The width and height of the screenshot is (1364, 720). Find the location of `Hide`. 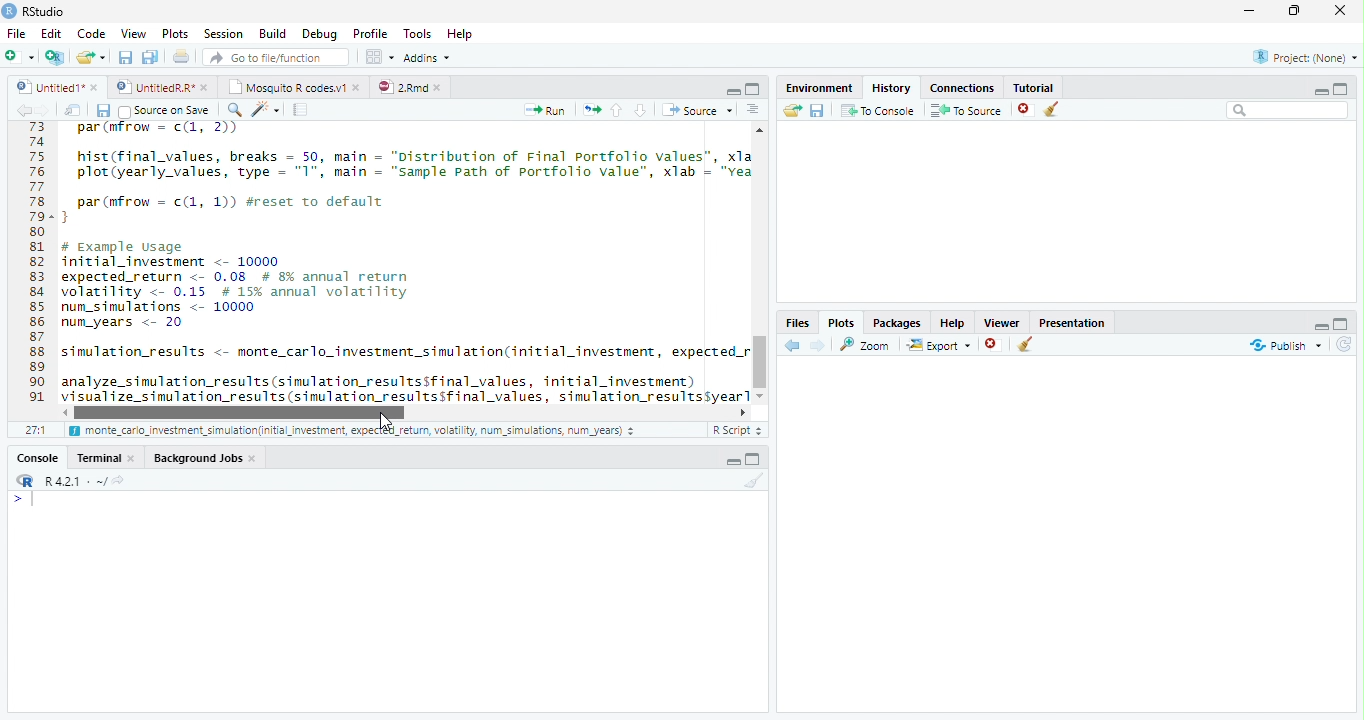

Hide is located at coordinates (1321, 90).